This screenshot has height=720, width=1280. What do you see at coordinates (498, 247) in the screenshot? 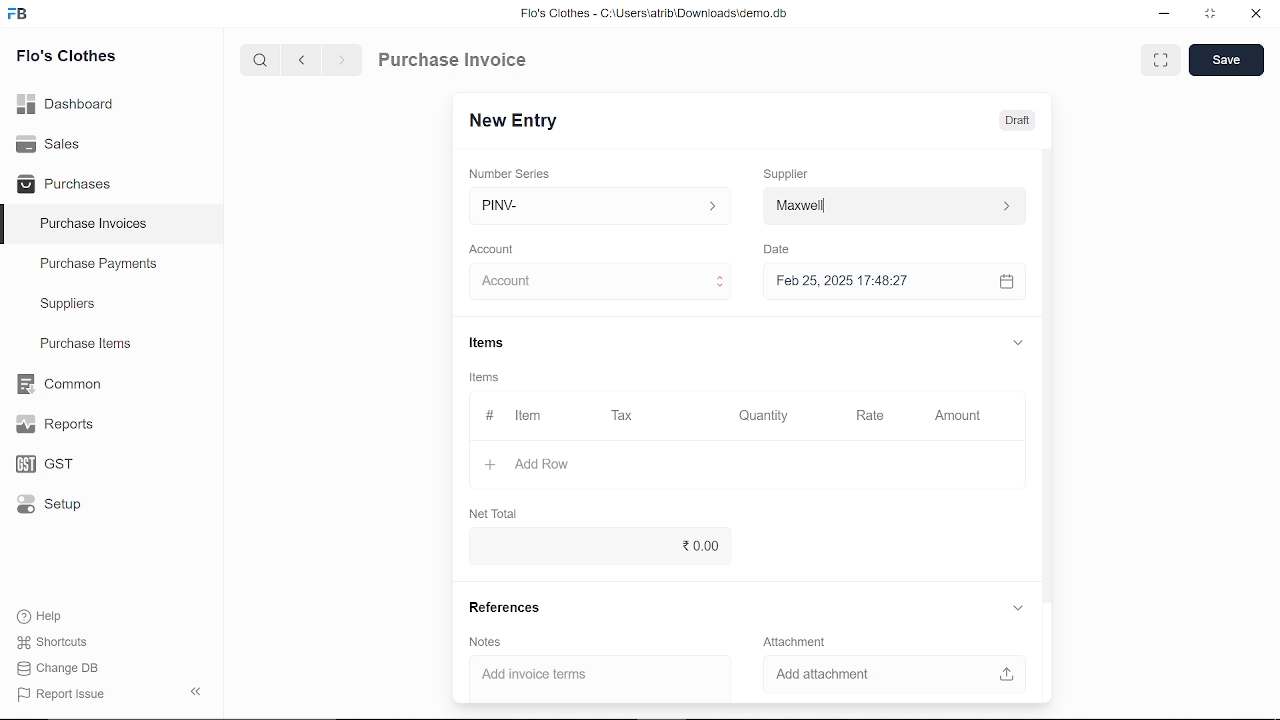
I see `Account` at bounding box center [498, 247].